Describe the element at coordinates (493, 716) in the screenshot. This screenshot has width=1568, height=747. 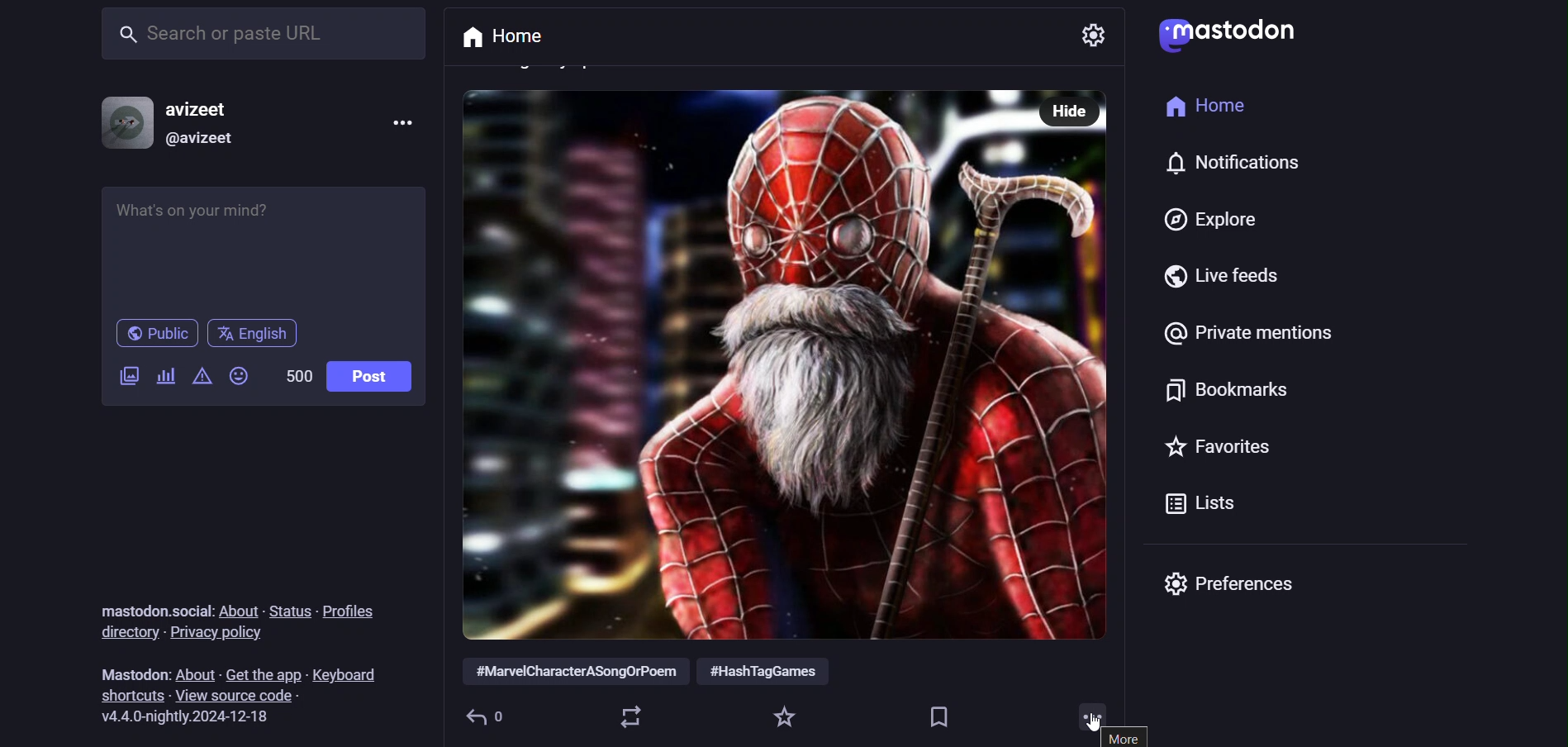
I see `replies` at that location.